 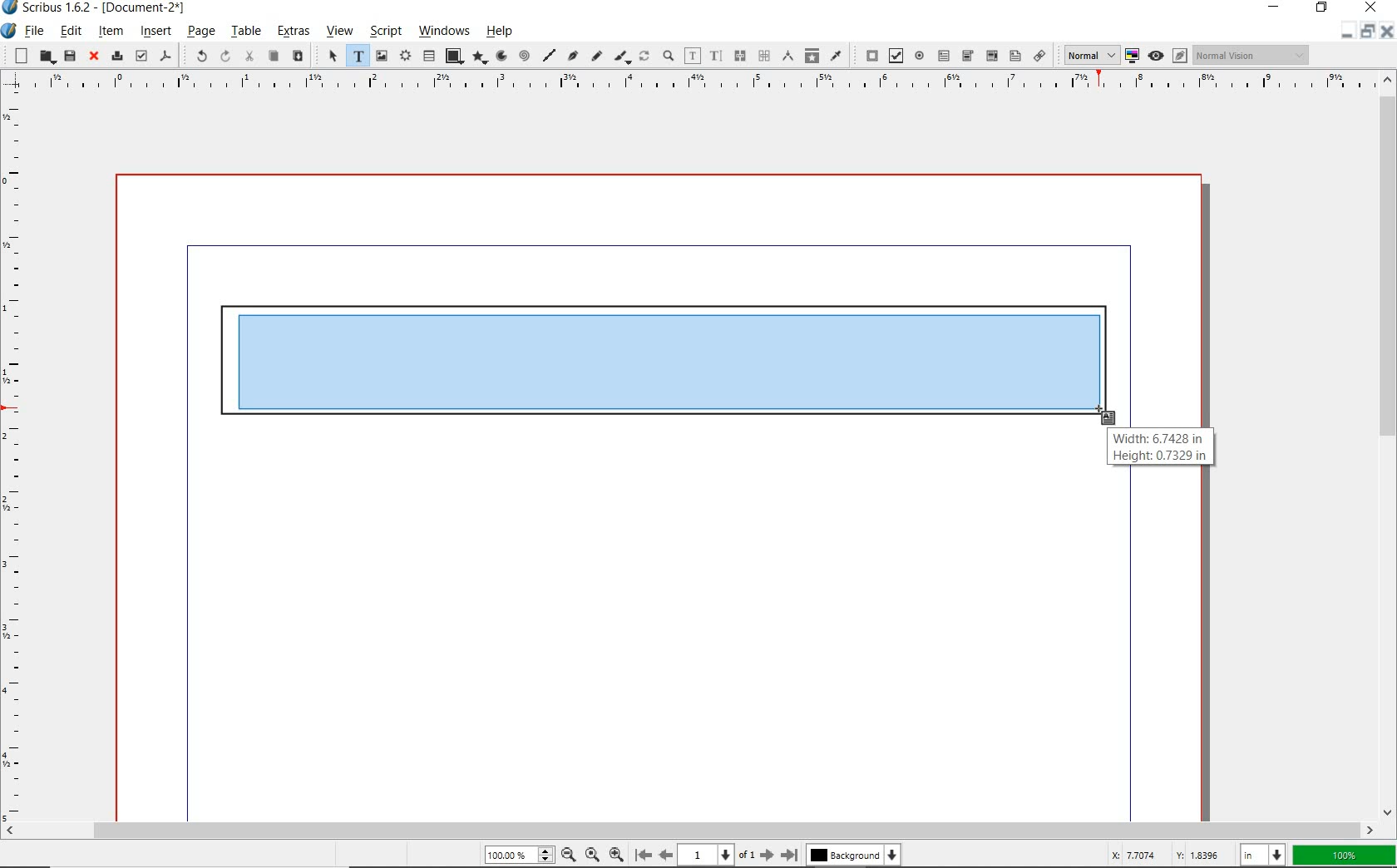 I want to click on pdf check box, so click(x=893, y=55).